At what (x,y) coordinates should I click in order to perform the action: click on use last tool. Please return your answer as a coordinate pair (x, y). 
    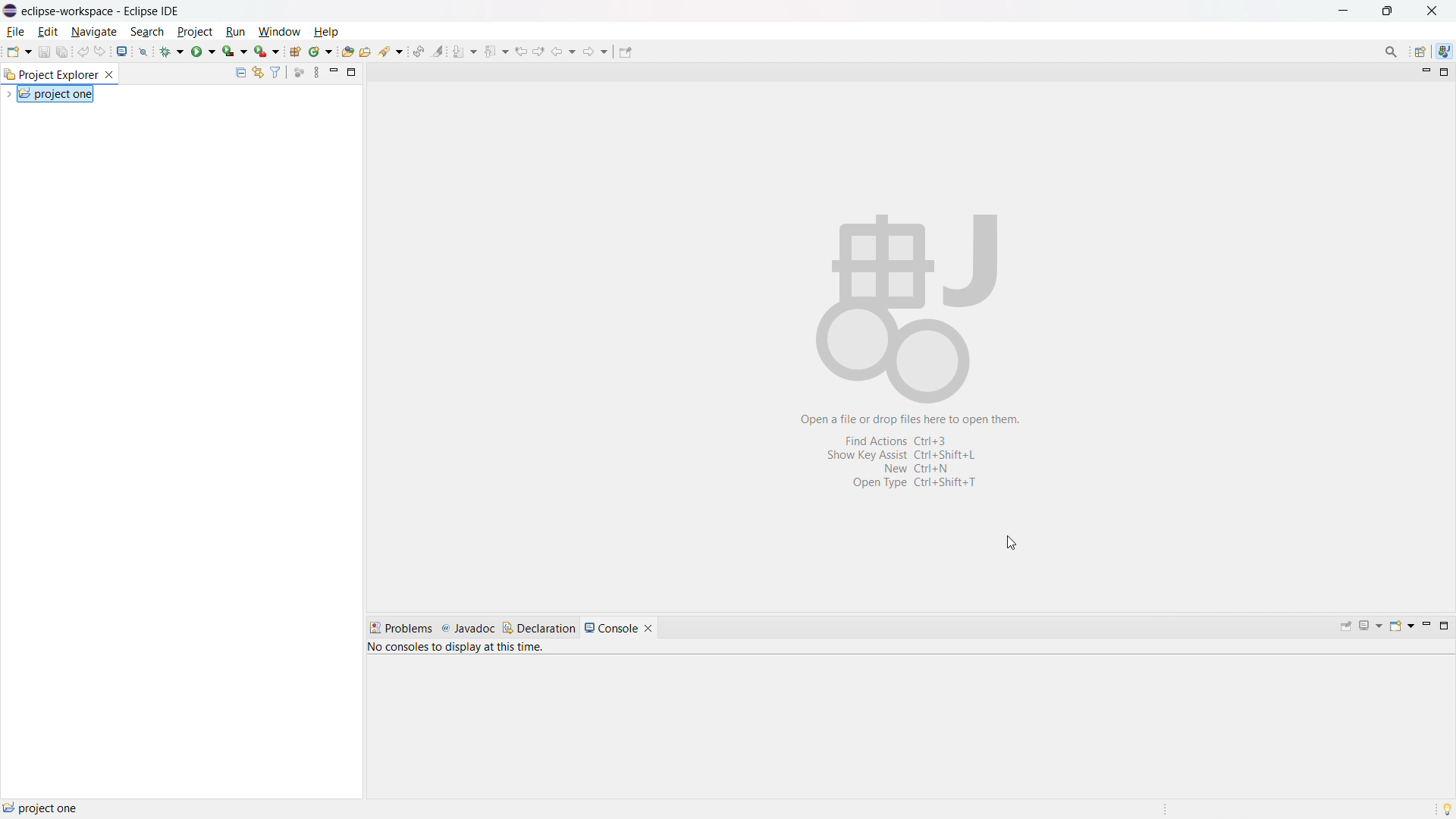
    Looking at the image, I should click on (266, 52).